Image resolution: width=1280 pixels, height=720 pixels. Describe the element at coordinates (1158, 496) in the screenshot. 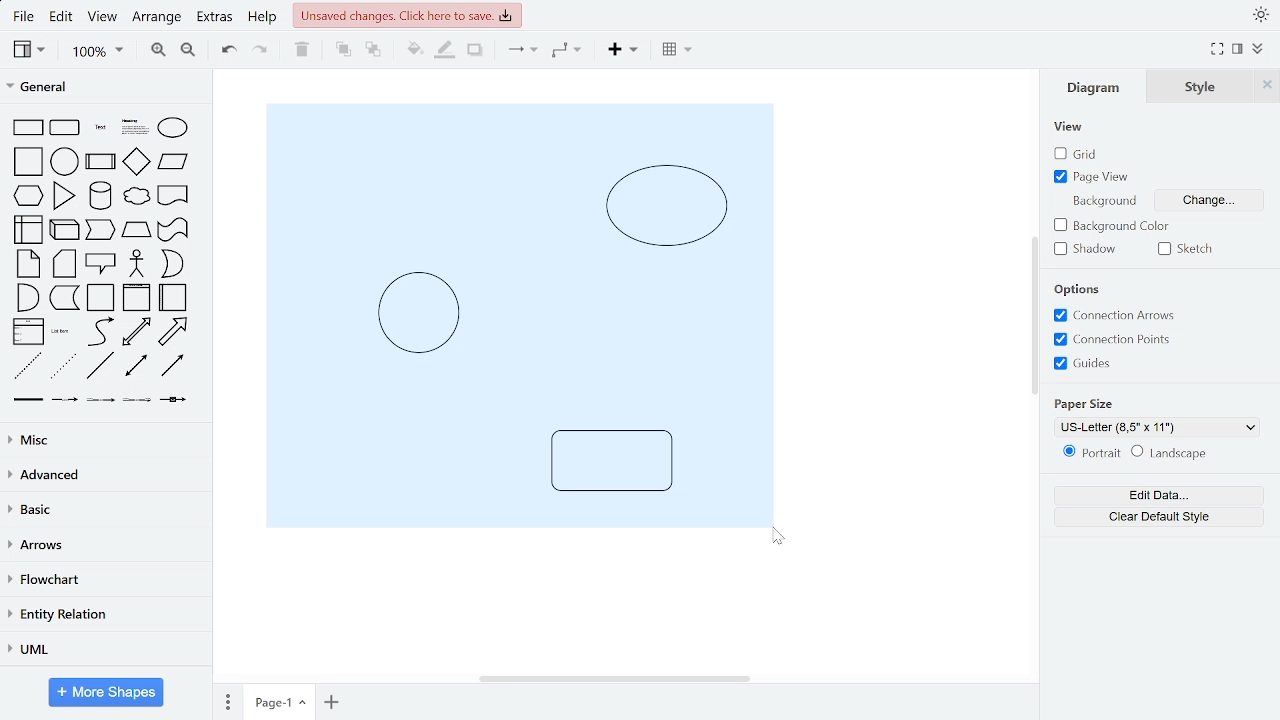

I see `edit data` at that location.